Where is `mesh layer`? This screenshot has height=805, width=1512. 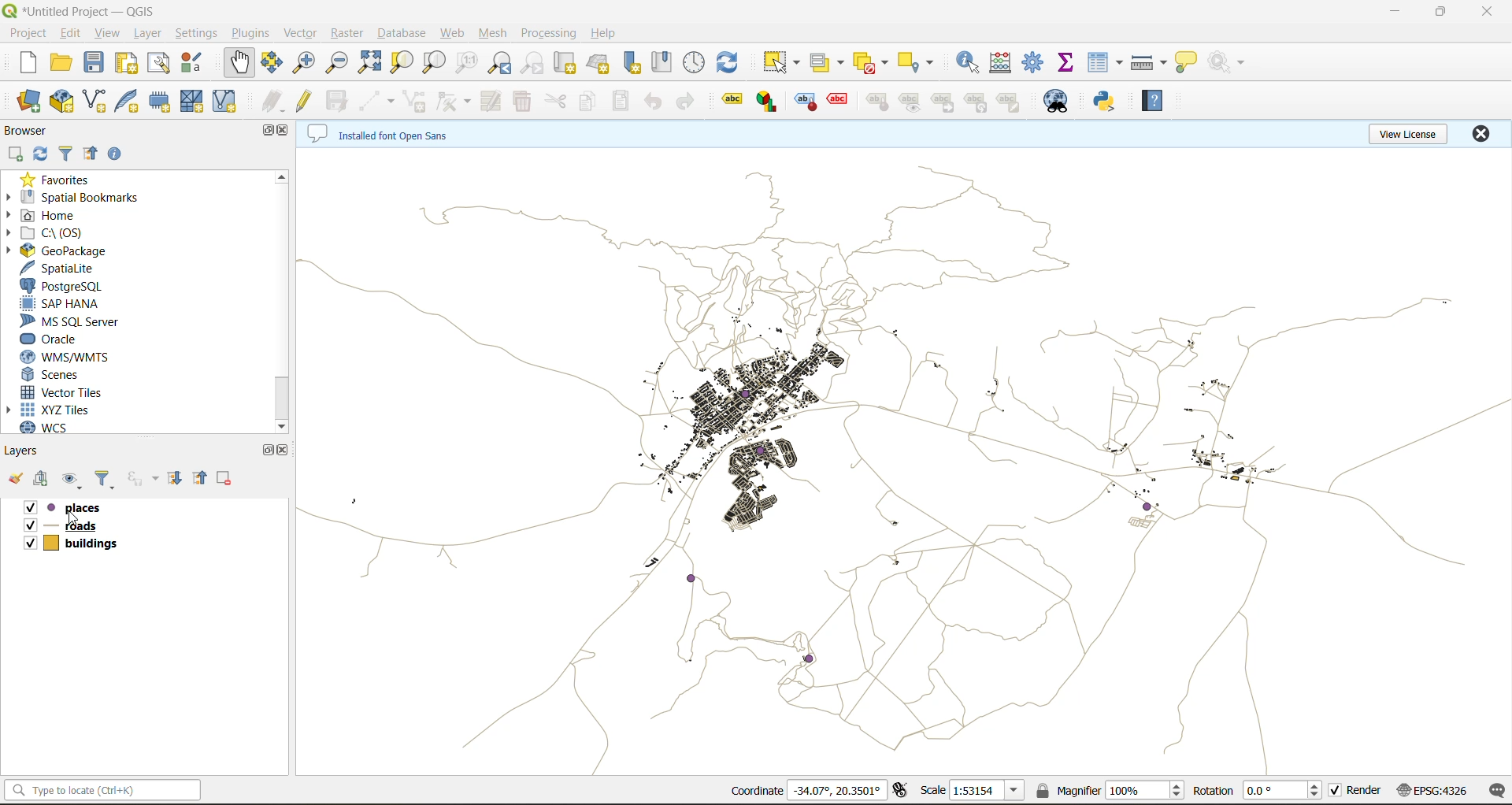 mesh layer is located at coordinates (196, 103).